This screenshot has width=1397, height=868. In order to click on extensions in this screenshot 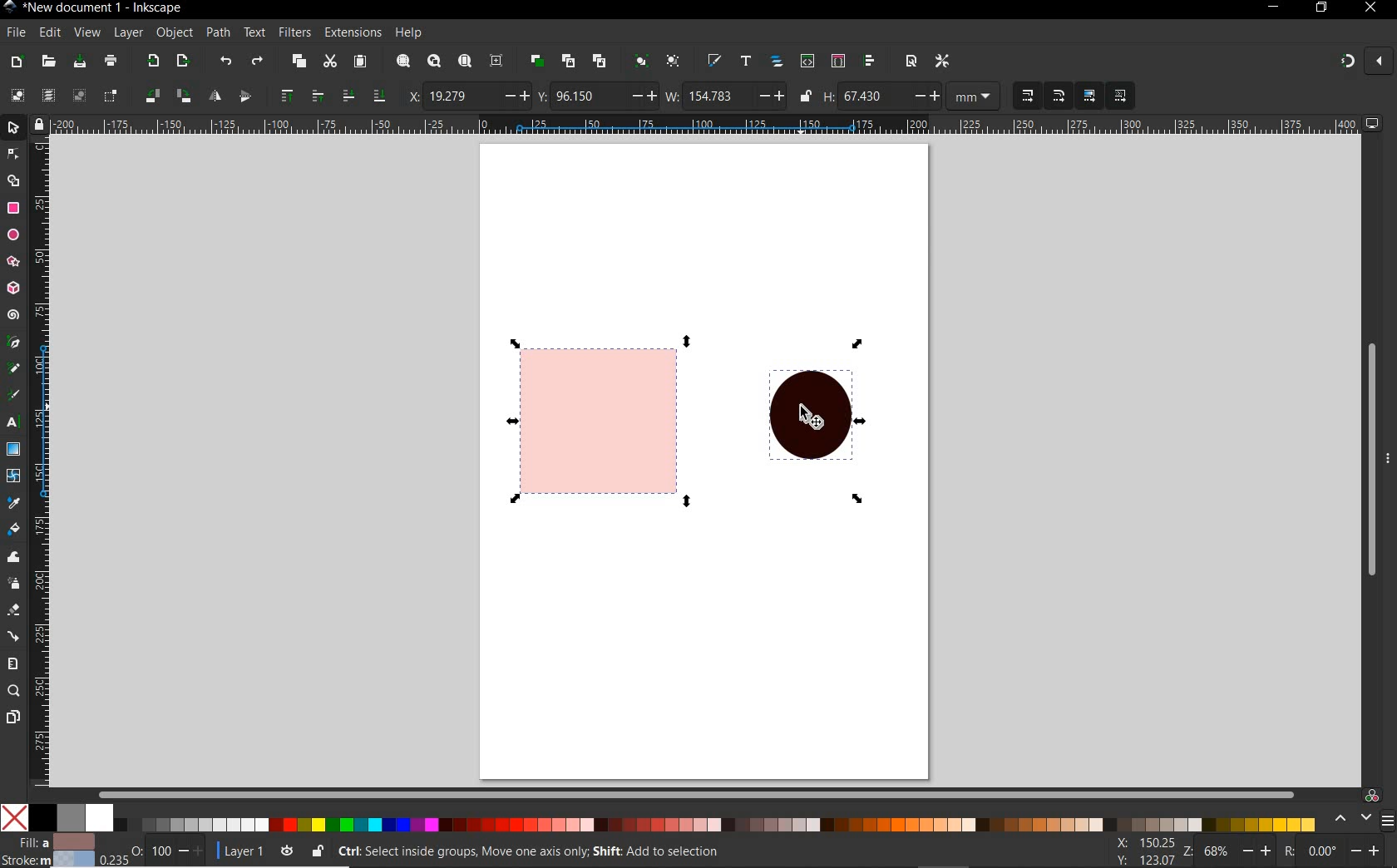, I will do `click(351, 32)`.